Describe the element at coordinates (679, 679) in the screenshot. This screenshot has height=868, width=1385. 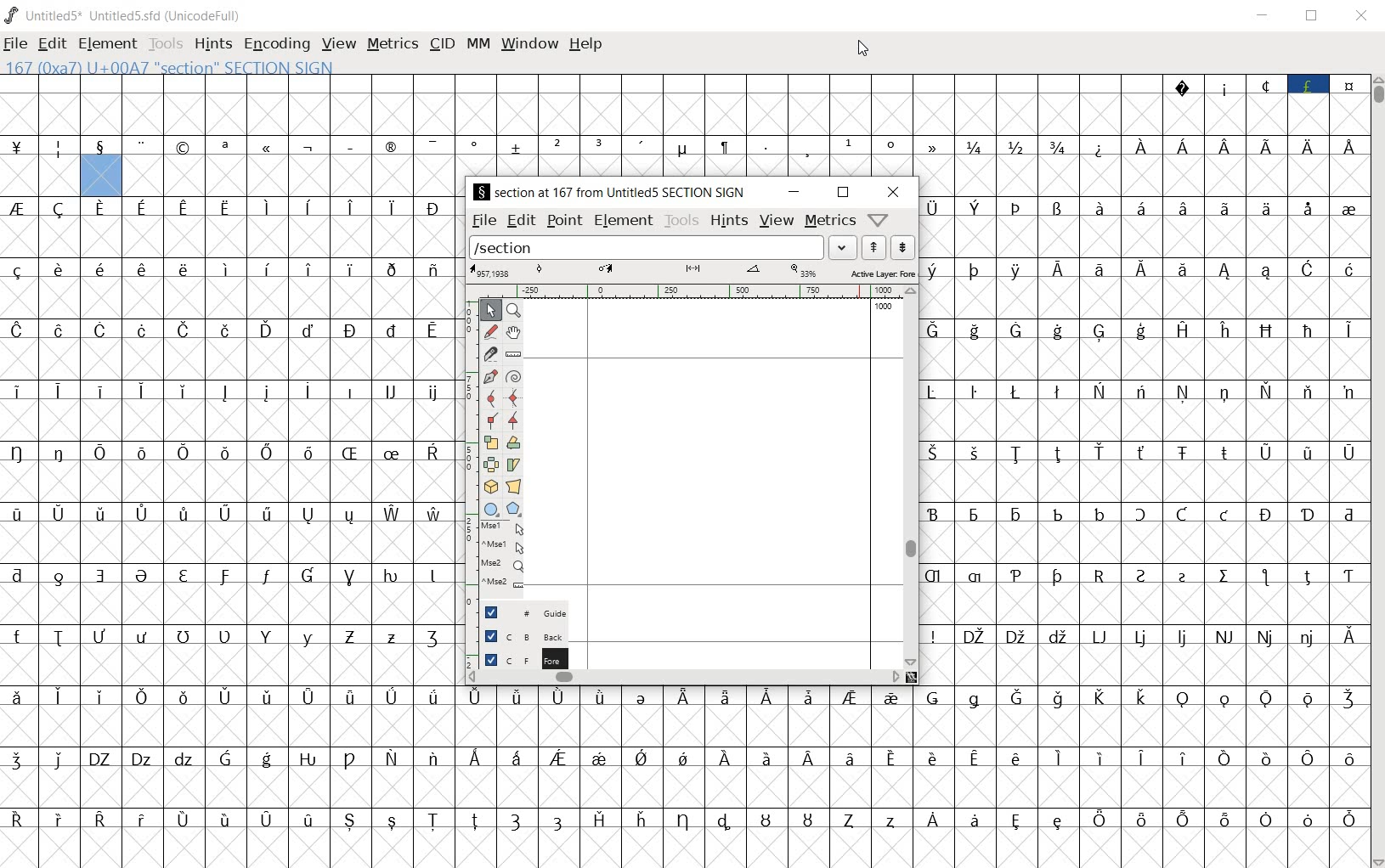
I see `scrollbar` at that location.